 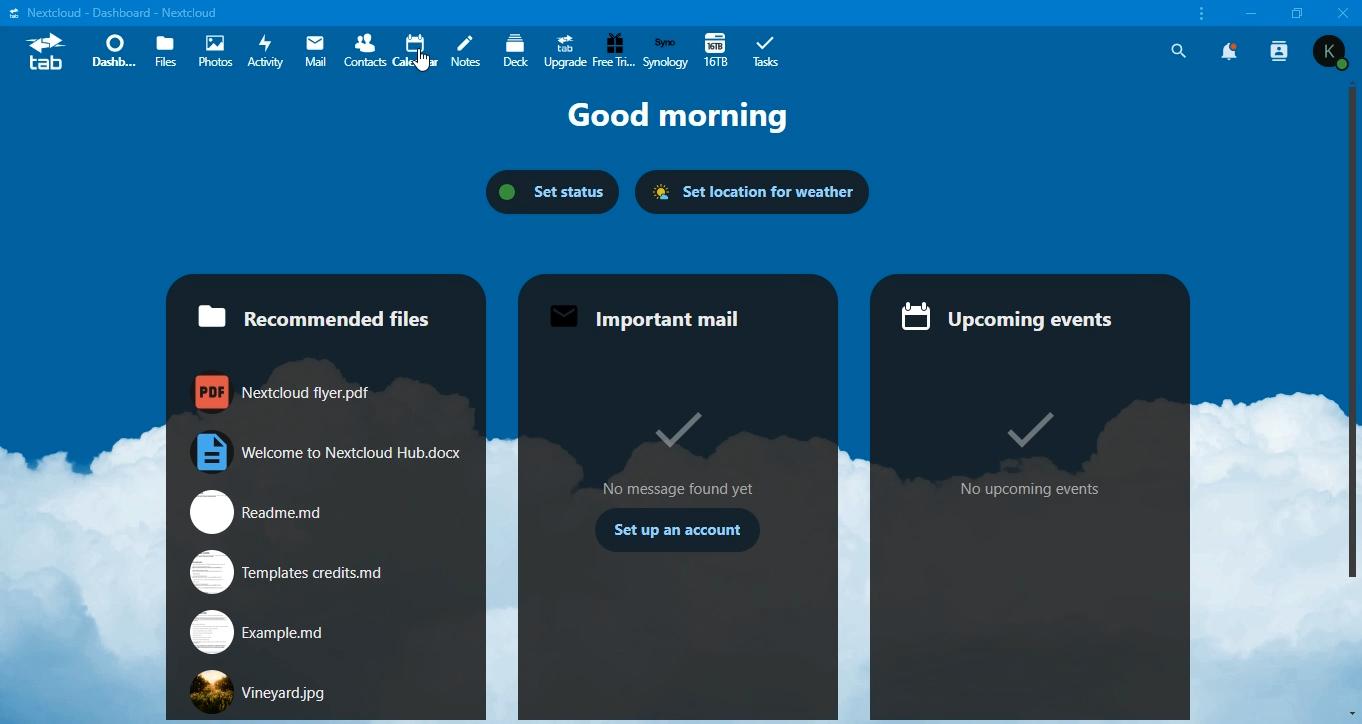 What do you see at coordinates (1331, 53) in the screenshot?
I see `` at bounding box center [1331, 53].